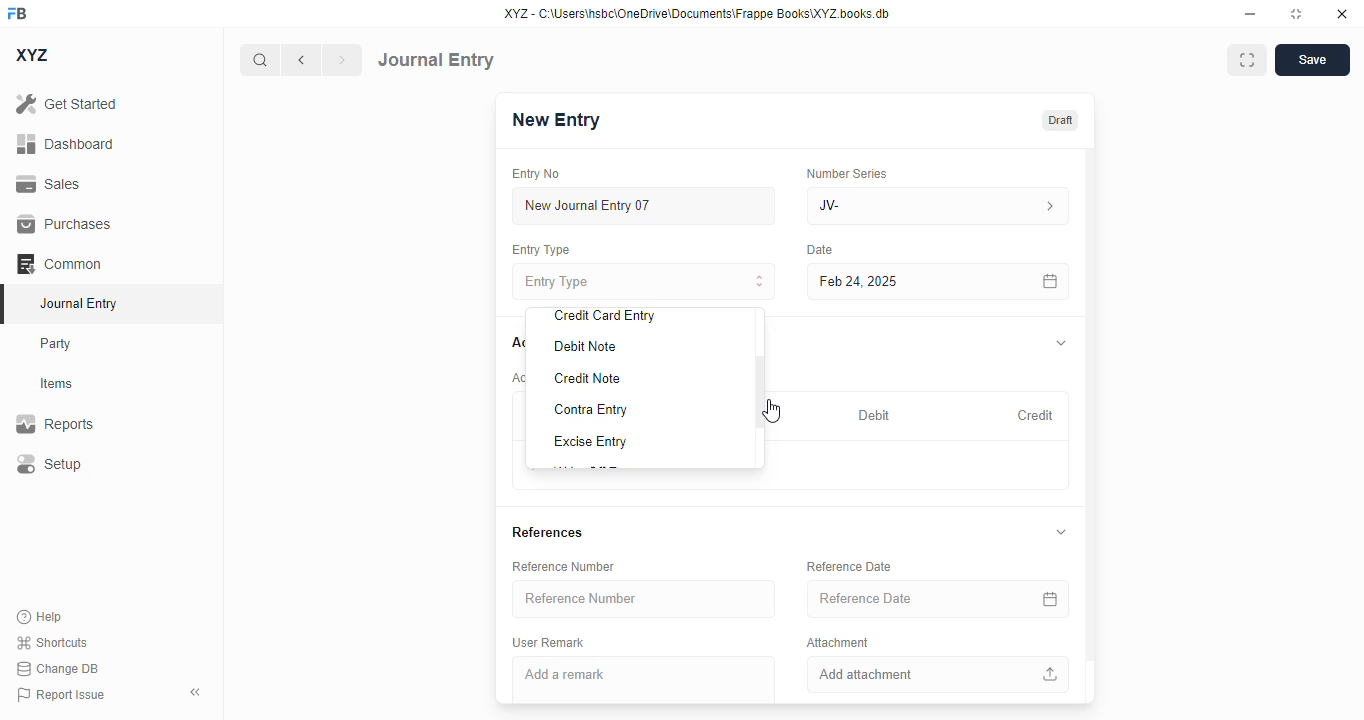 This screenshot has width=1364, height=720. What do you see at coordinates (57, 668) in the screenshot?
I see `change DB` at bounding box center [57, 668].